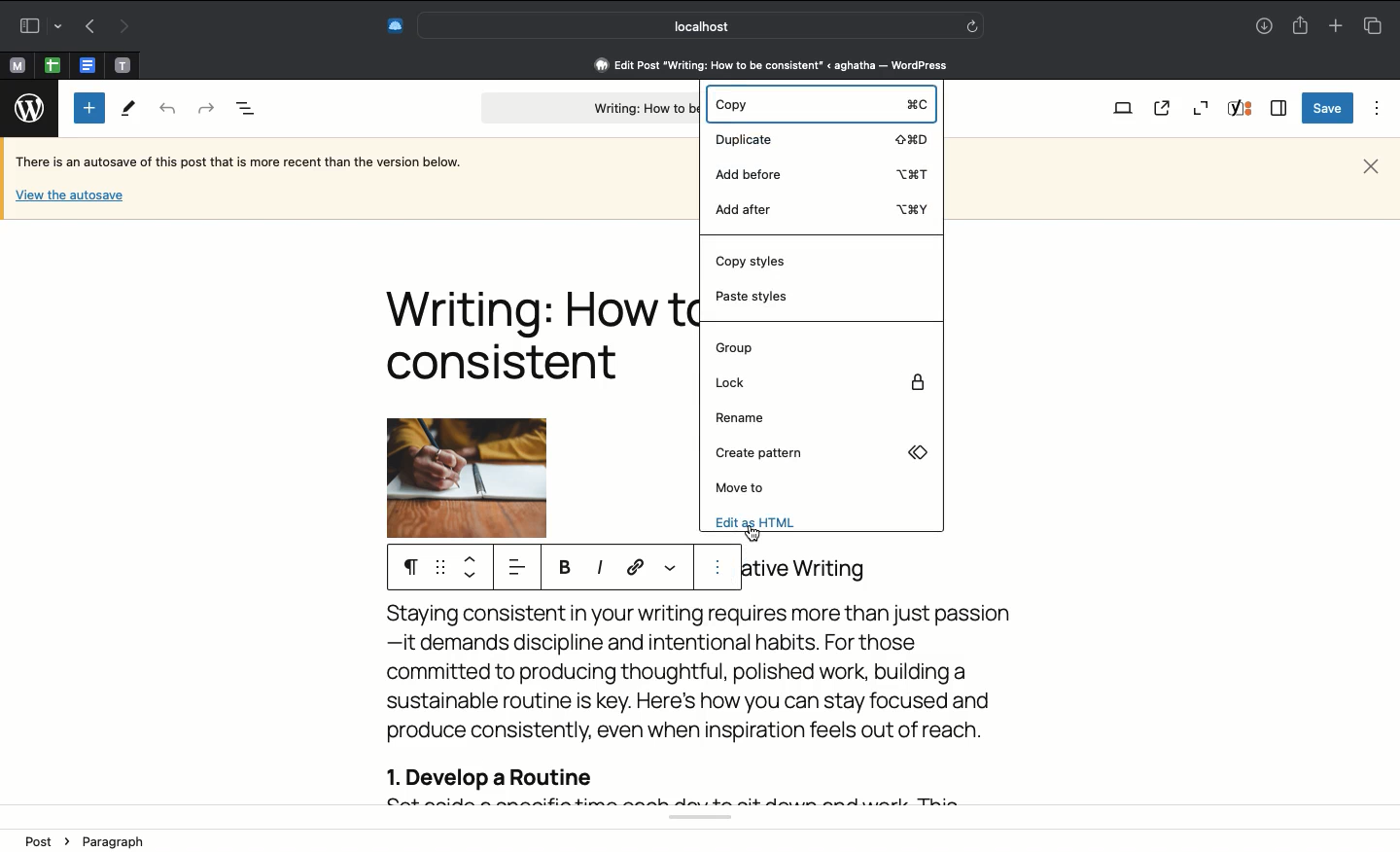 This screenshot has height=852, width=1400. I want to click on Add new tab, so click(1334, 25).